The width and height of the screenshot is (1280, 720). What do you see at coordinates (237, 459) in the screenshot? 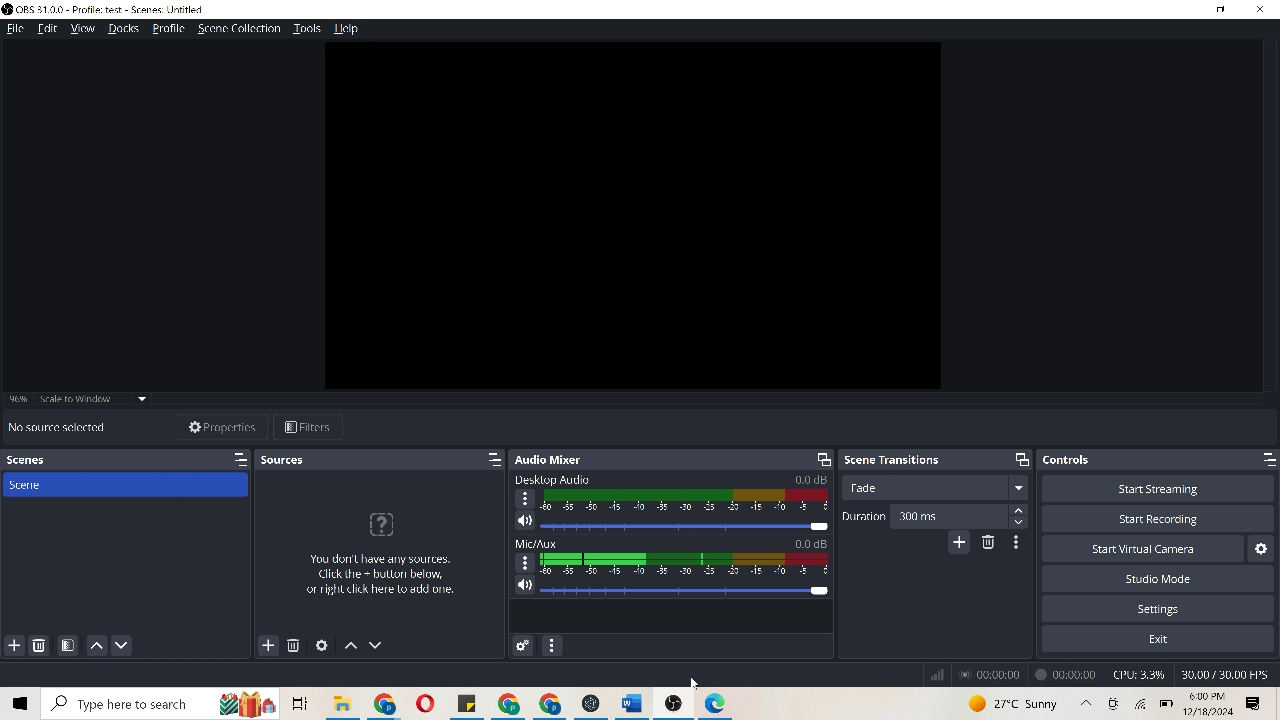
I see `maximize` at bounding box center [237, 459].